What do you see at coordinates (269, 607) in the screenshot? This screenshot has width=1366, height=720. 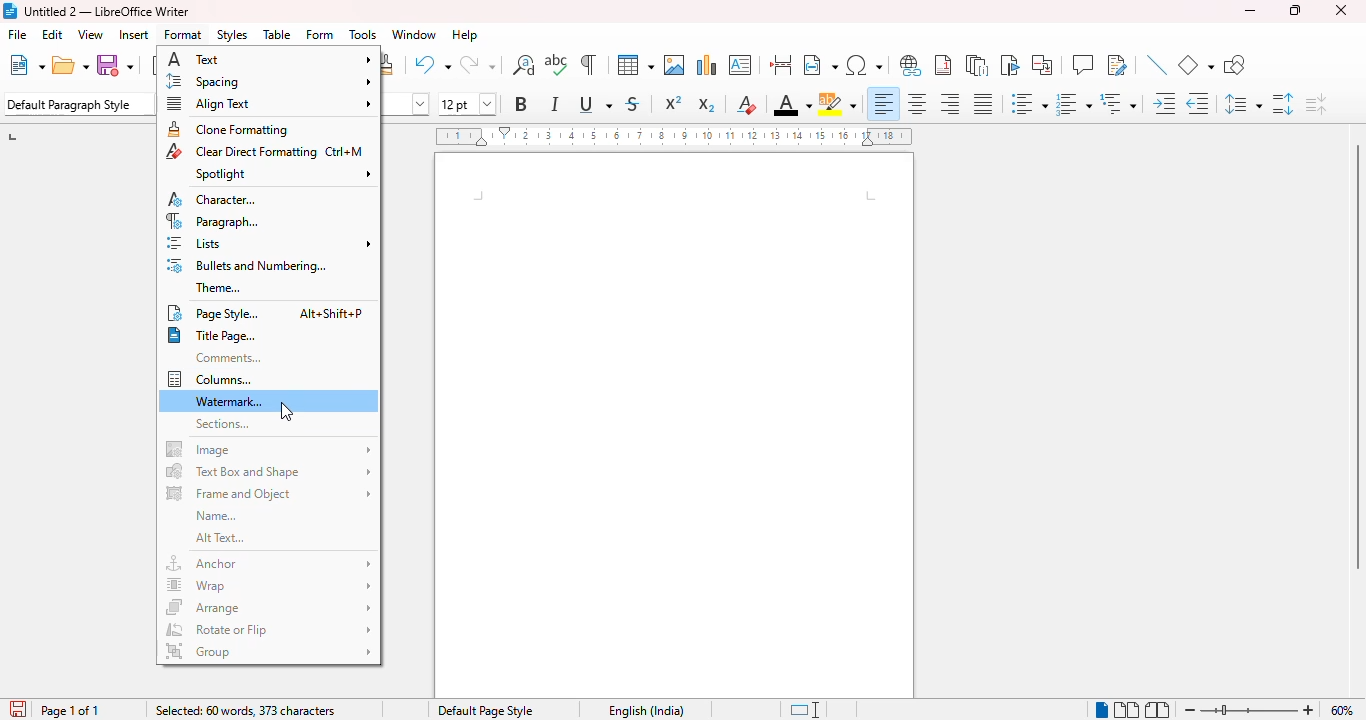 I see `arrange` at bounding box center [269, 607].